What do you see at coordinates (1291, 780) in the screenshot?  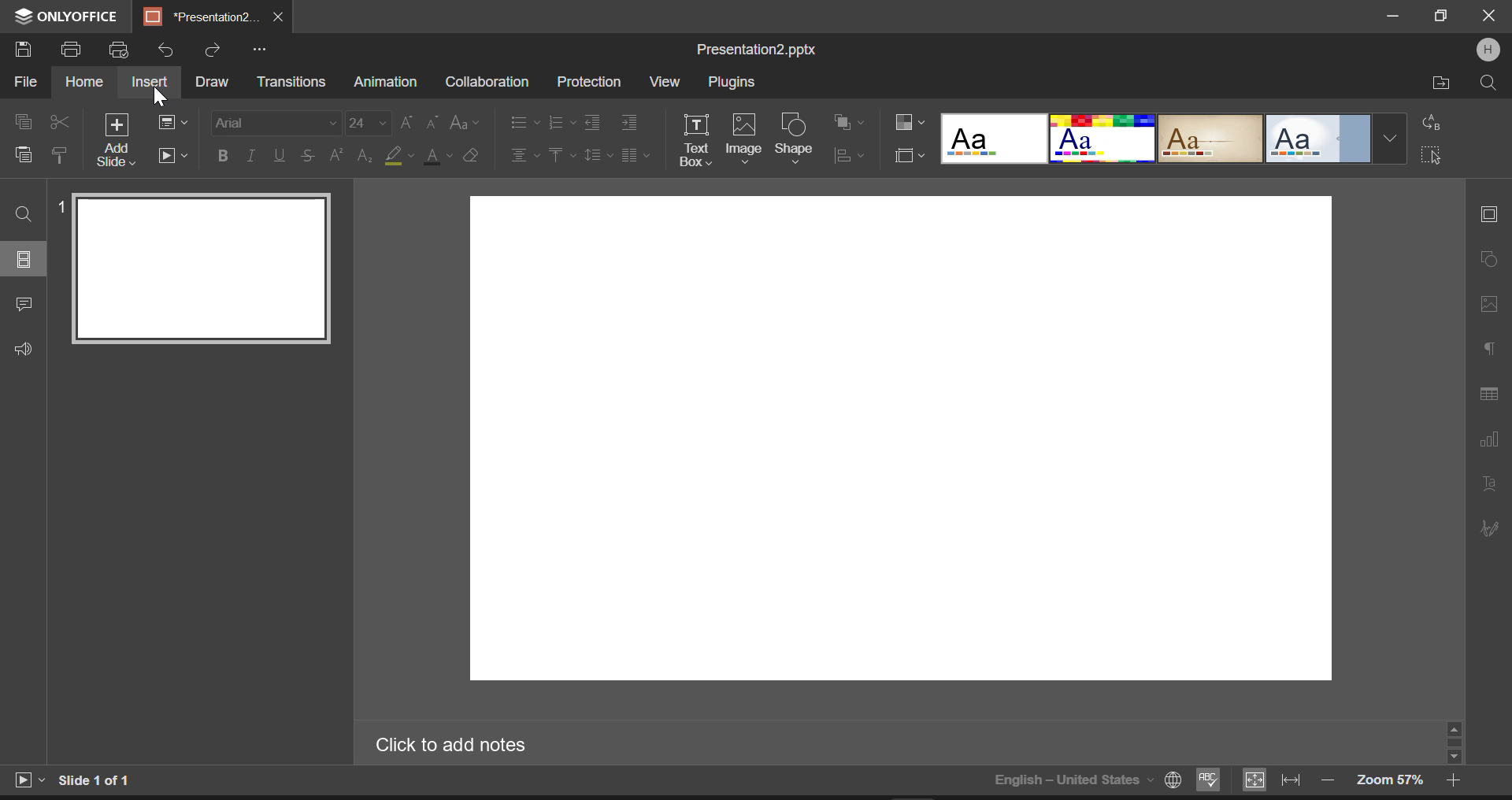 I see `Fit to width` at bounding box center [1291, 780].